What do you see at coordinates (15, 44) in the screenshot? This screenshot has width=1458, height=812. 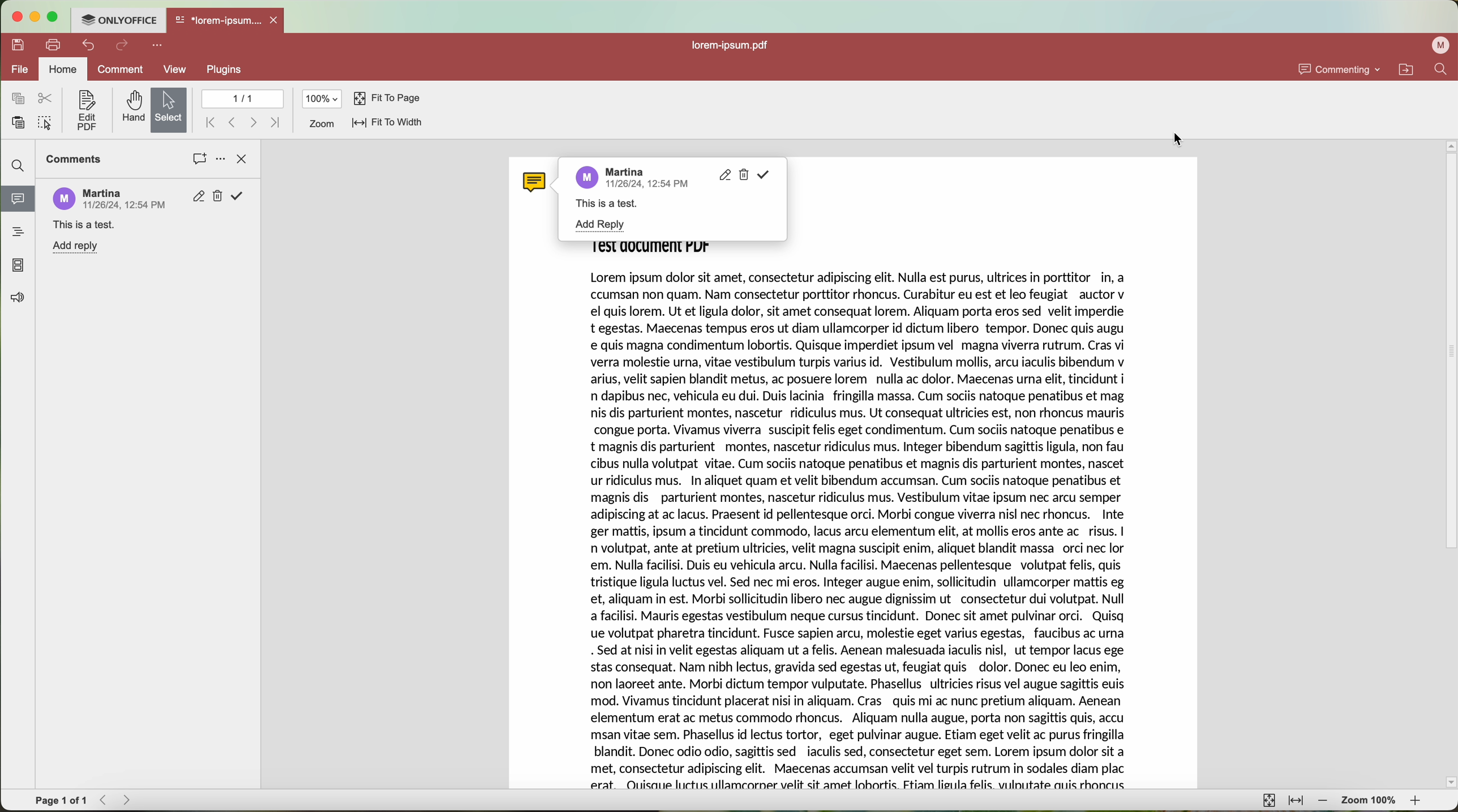 I see `save` at bounding box center [15, 44].